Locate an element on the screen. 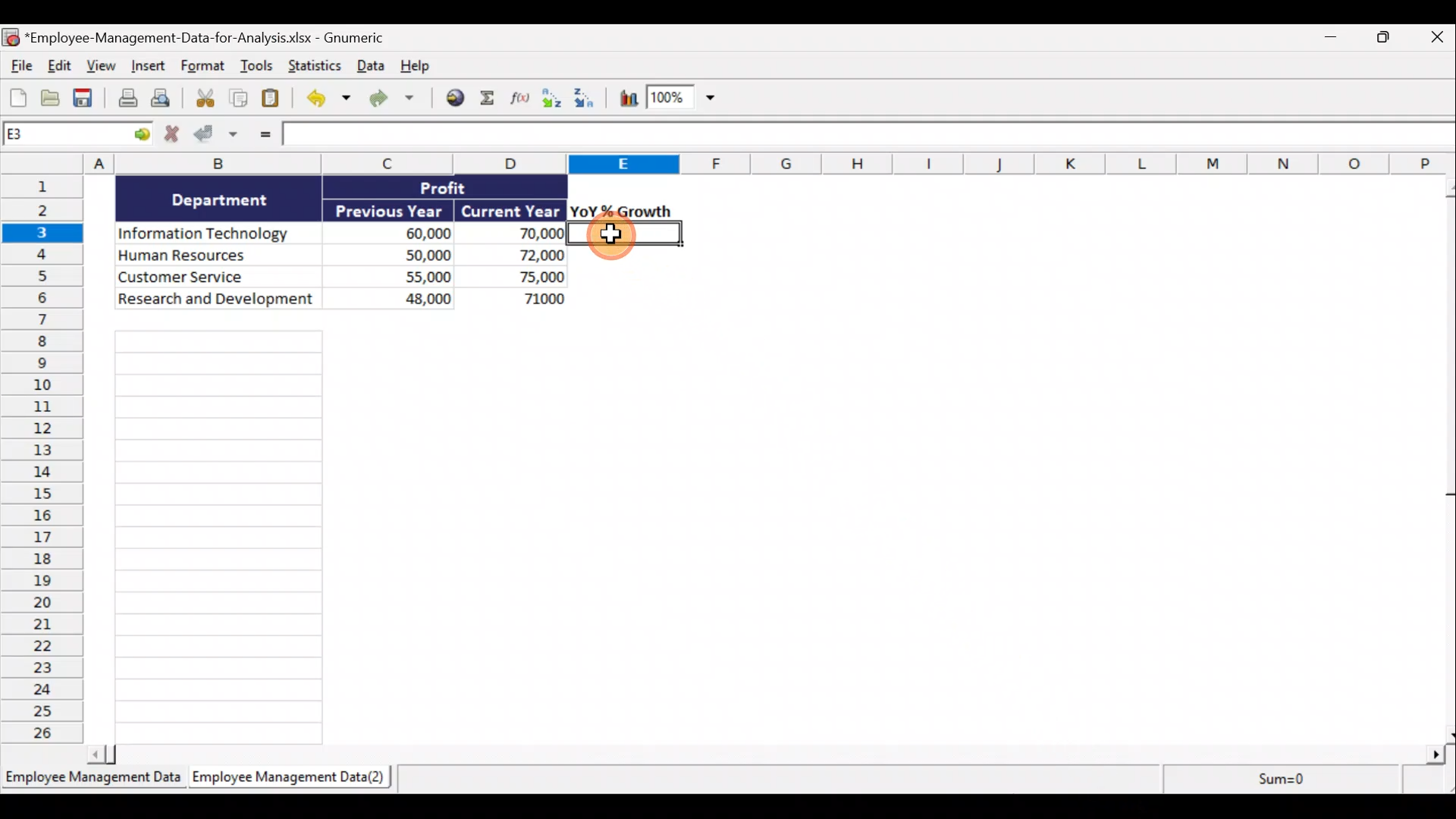 This screenshot has width=1456, height=819. Cell allocation is located at coordinates (79, 136).